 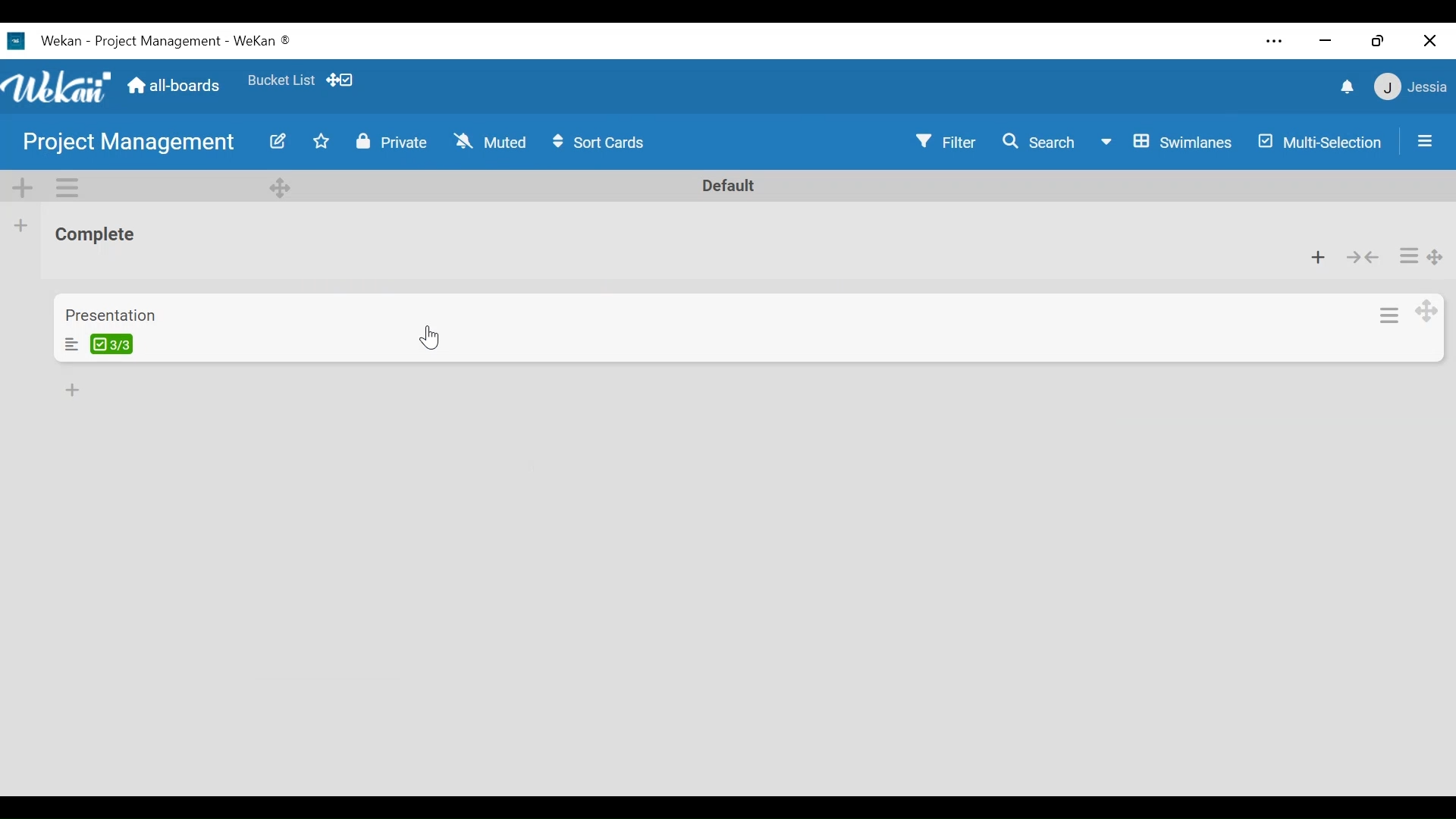 I want to click on Card Title, so click(x=110, y=315).